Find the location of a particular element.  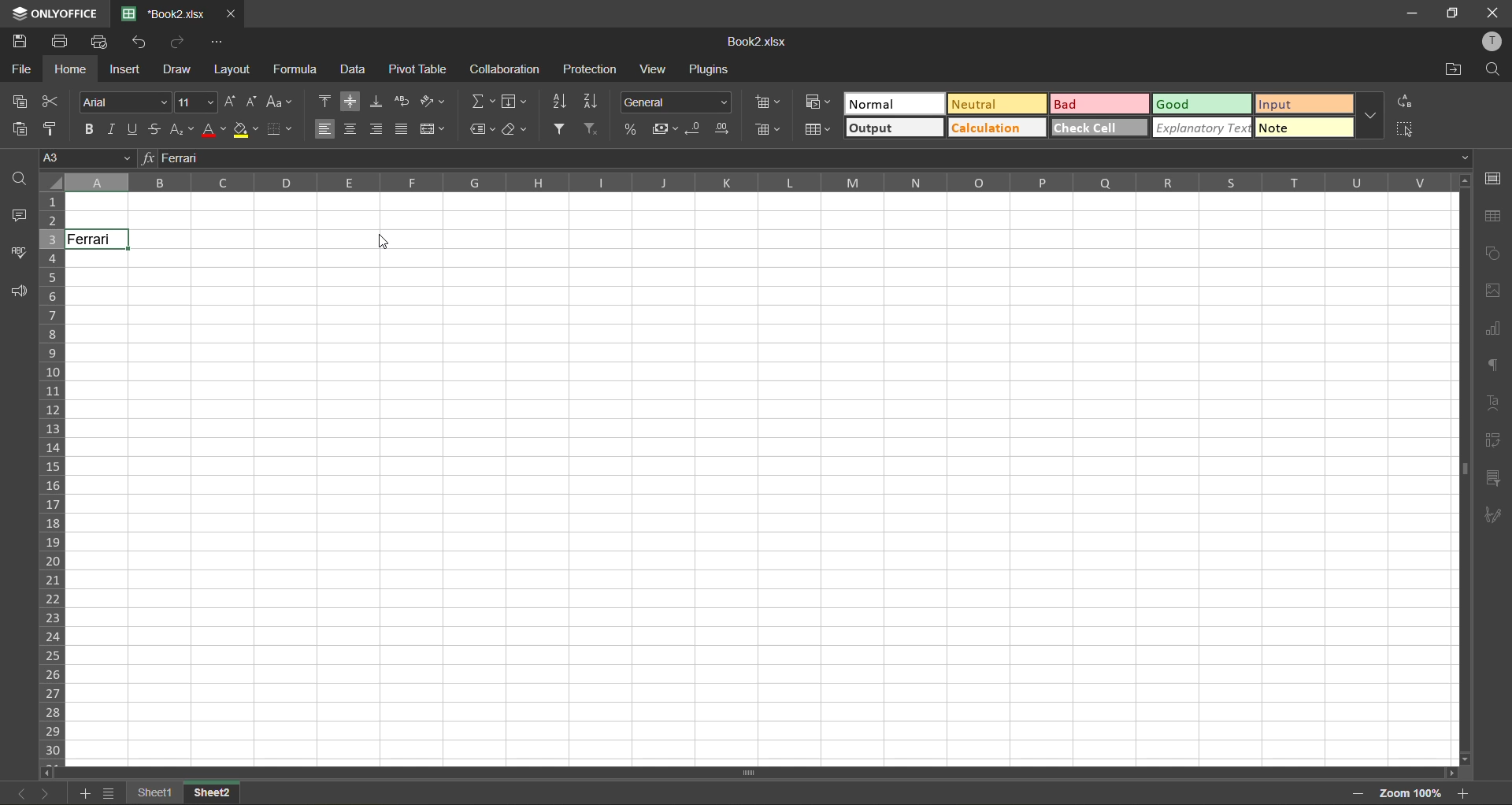

profile is located at coordinates (1494, 43).